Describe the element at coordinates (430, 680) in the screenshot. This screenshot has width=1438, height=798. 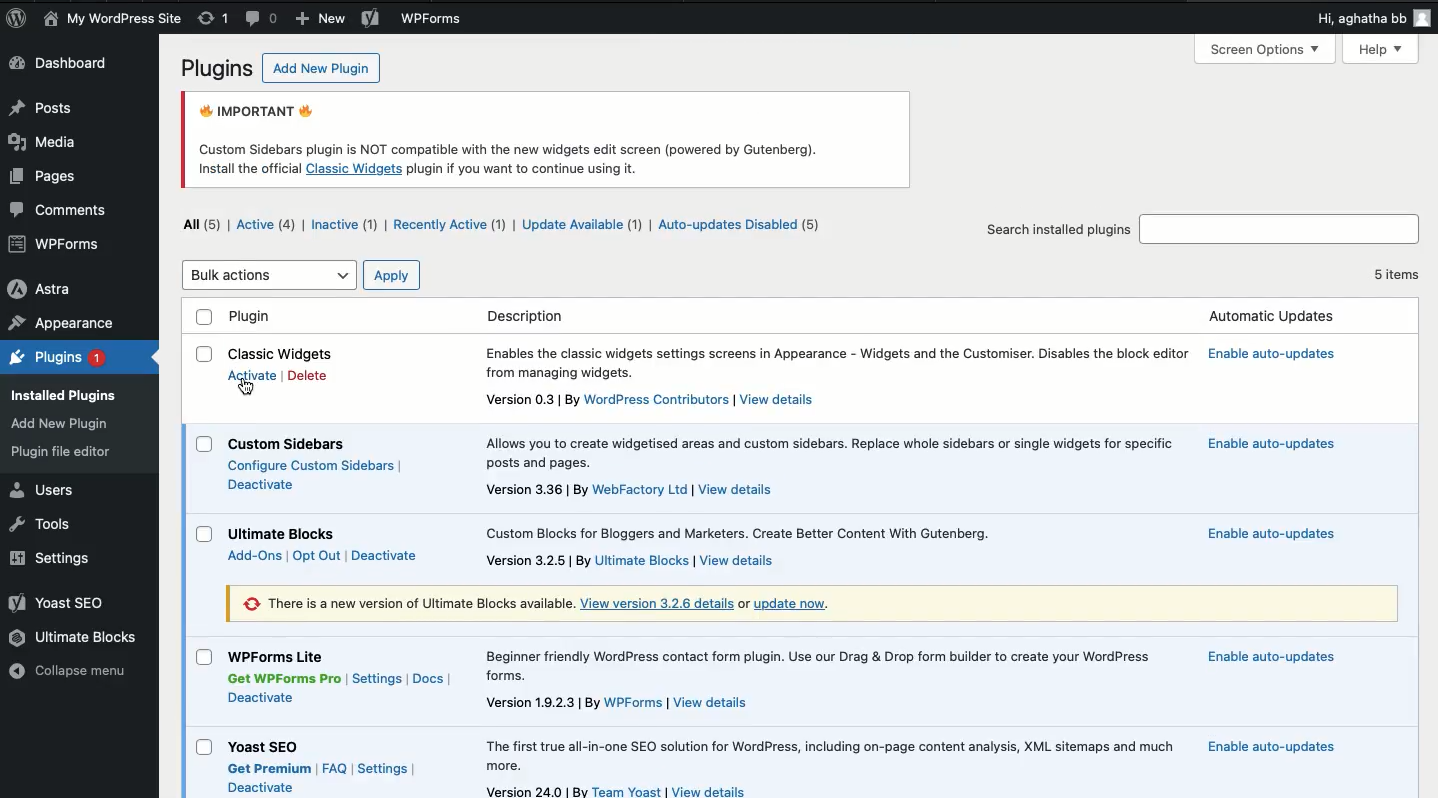
I see `Docs` at that location.